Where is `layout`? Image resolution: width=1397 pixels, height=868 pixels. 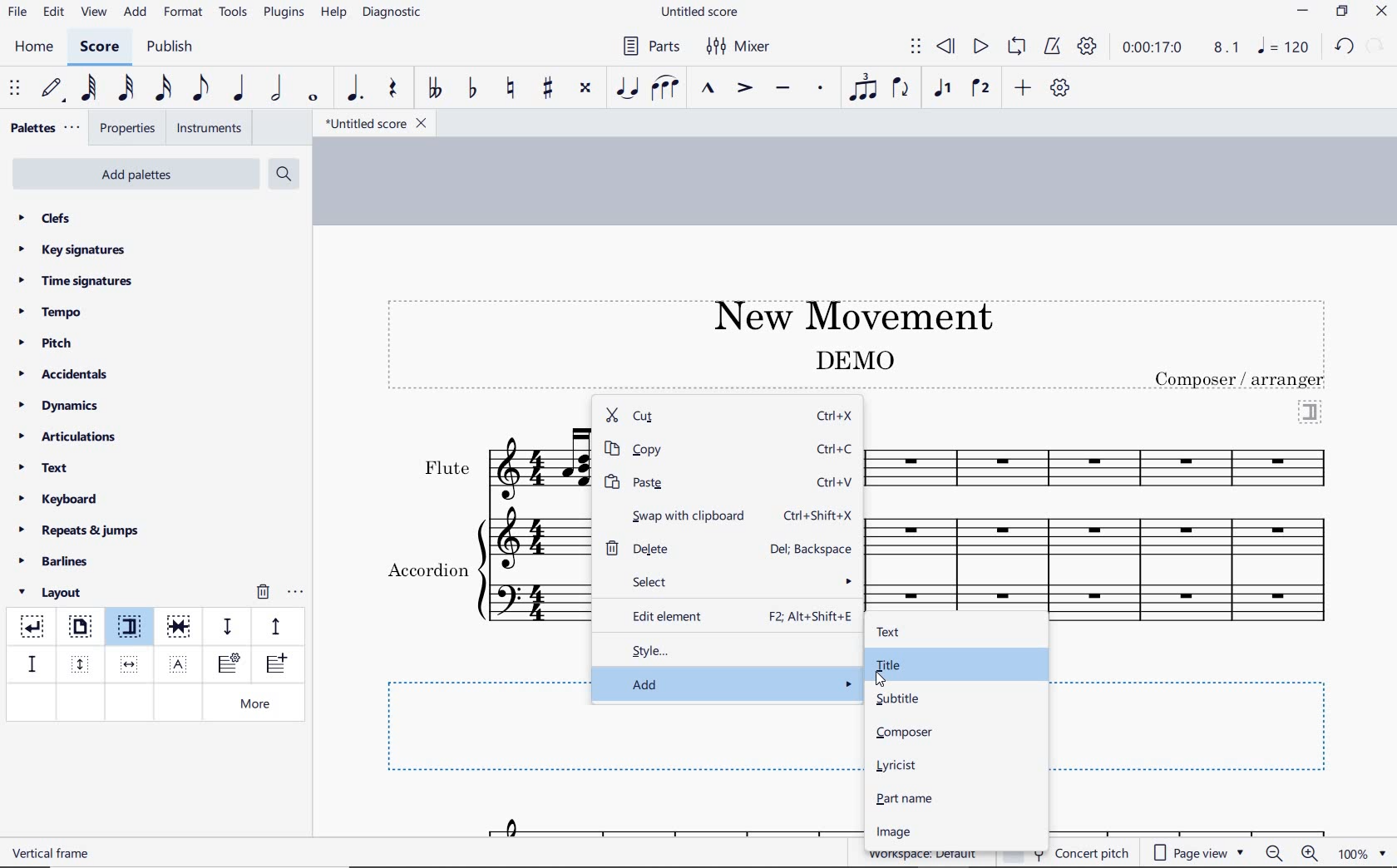
layout is located at coordinates (53, 593).